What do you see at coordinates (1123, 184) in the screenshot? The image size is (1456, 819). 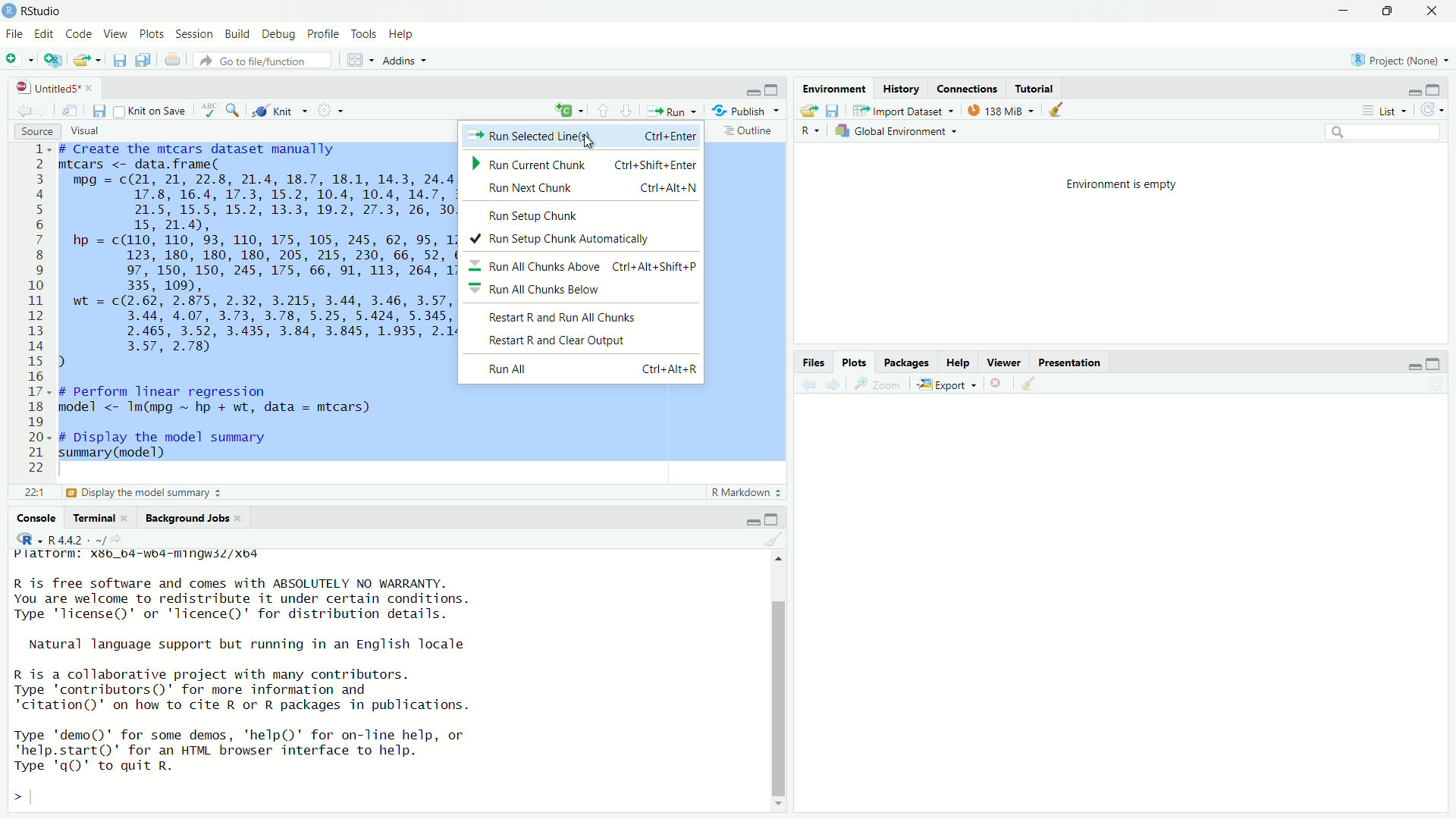 I see `Environment is empty` at bounding box center [1123, 184].